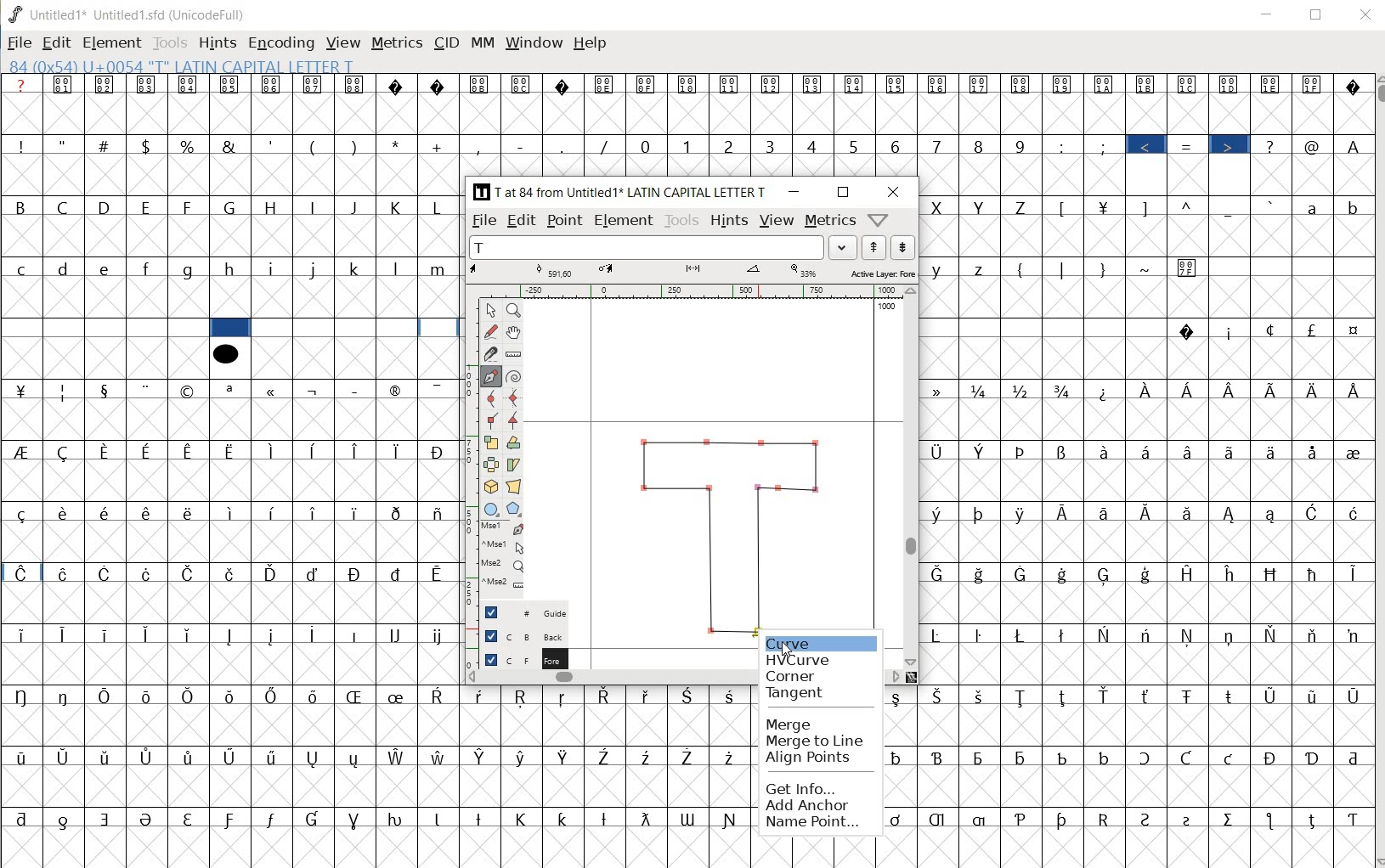 Image resolution: width=1385 pixels, height=868 pixels. What do you see at coordinates (440, 206) in the screenshot?
I see `L` at bounding box center [440, 206].